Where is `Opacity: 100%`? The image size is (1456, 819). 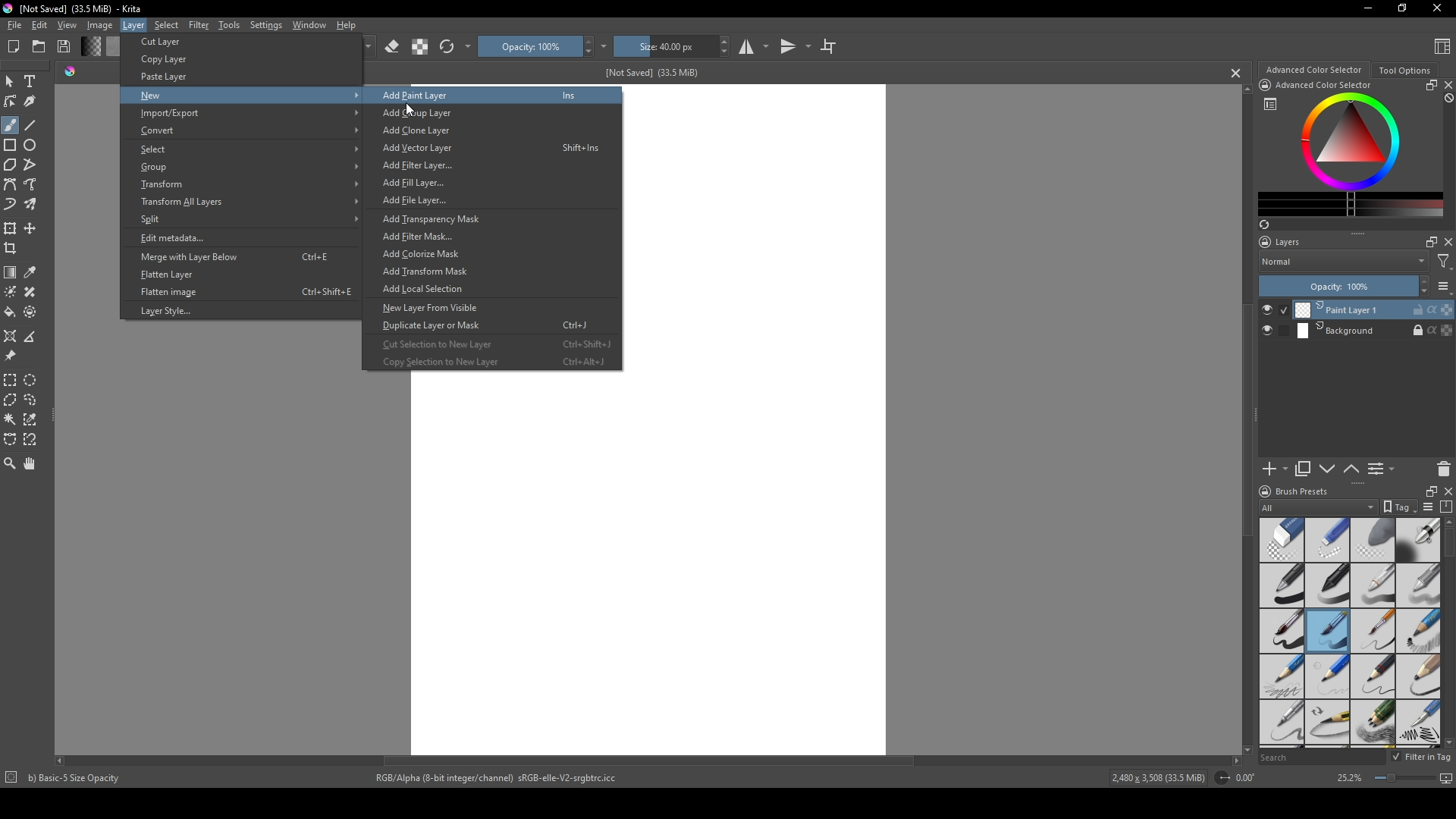 Opacity: 100% is located at coordinates (1335, 287).